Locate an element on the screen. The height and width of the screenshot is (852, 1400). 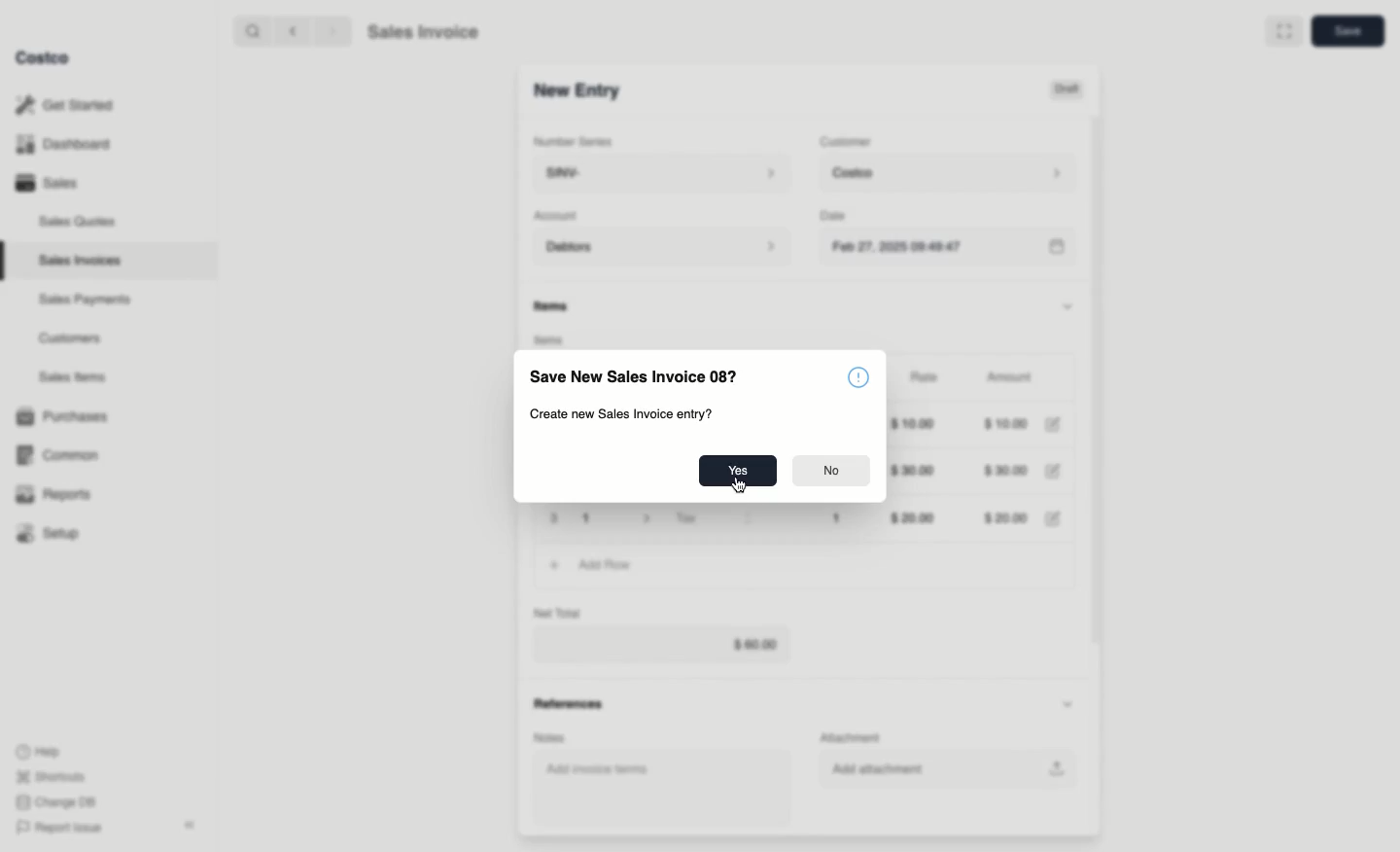
No is located at coordinates (828, 468).